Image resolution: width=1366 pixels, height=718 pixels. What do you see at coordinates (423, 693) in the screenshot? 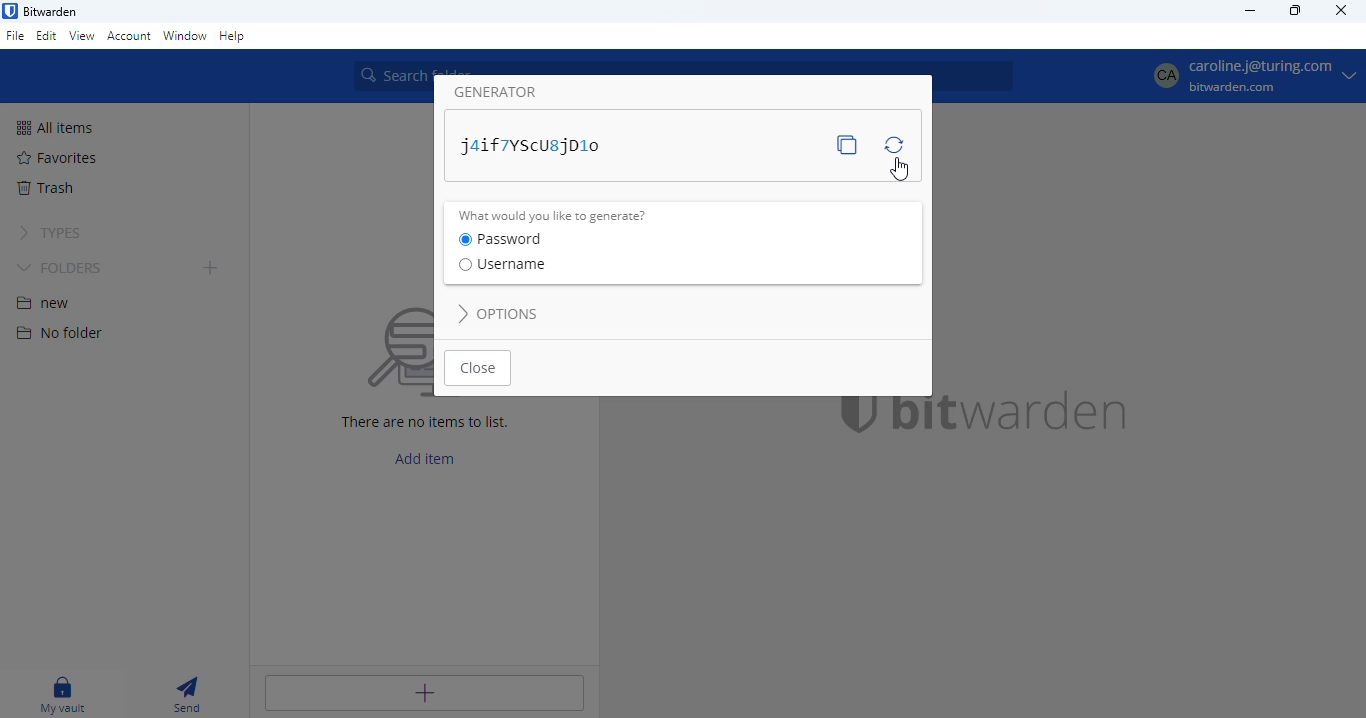
I see `add item` at bounding box center [423, 693].